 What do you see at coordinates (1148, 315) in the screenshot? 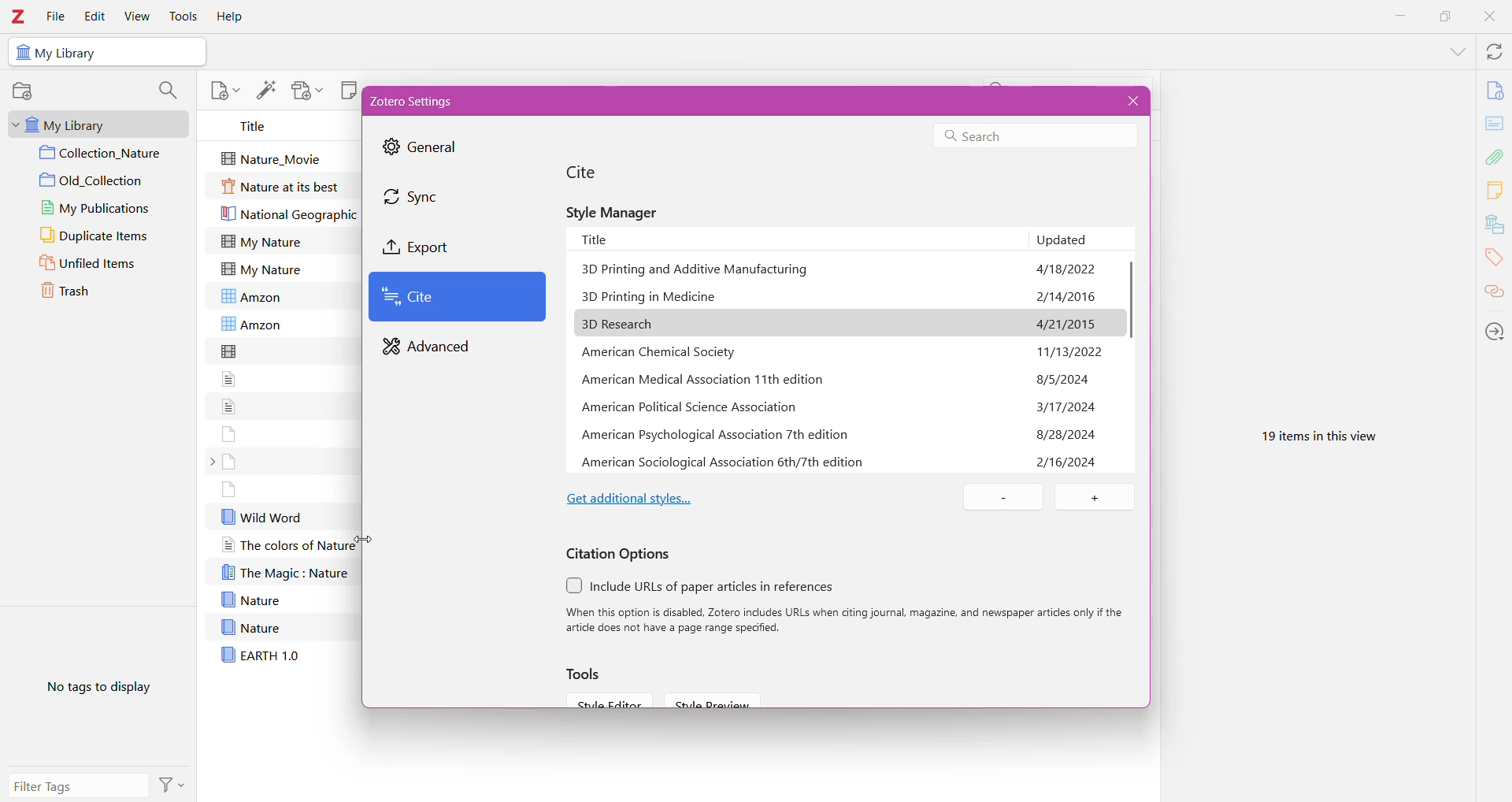
I see `Vertical Scroll Bar - Zotero Settings` at bounding box center [1148, 315].